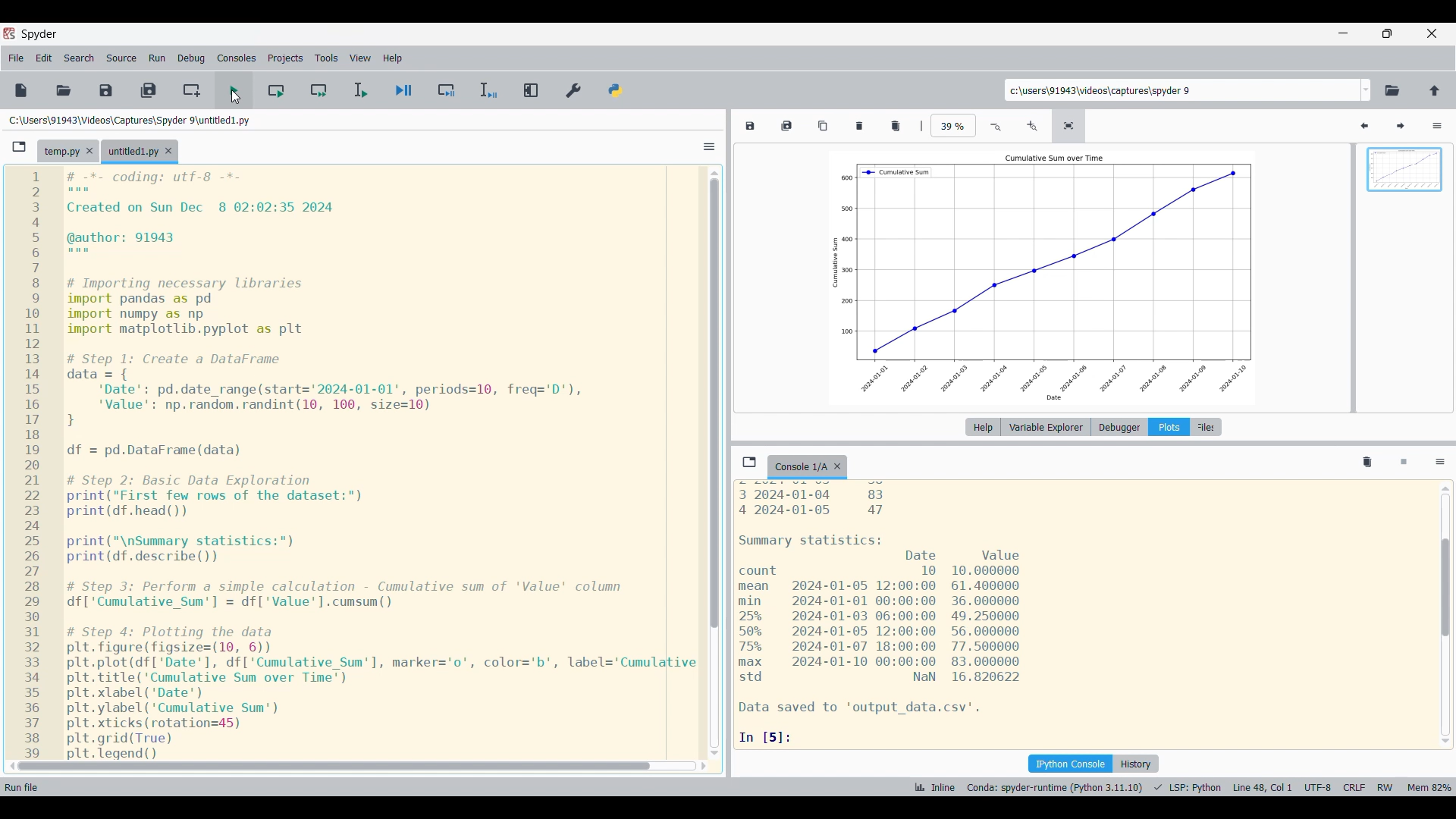  What do you see at coordinates (1070, 764) in the screenshot?
I see `IPython console` at bounding box center [1070, 764].